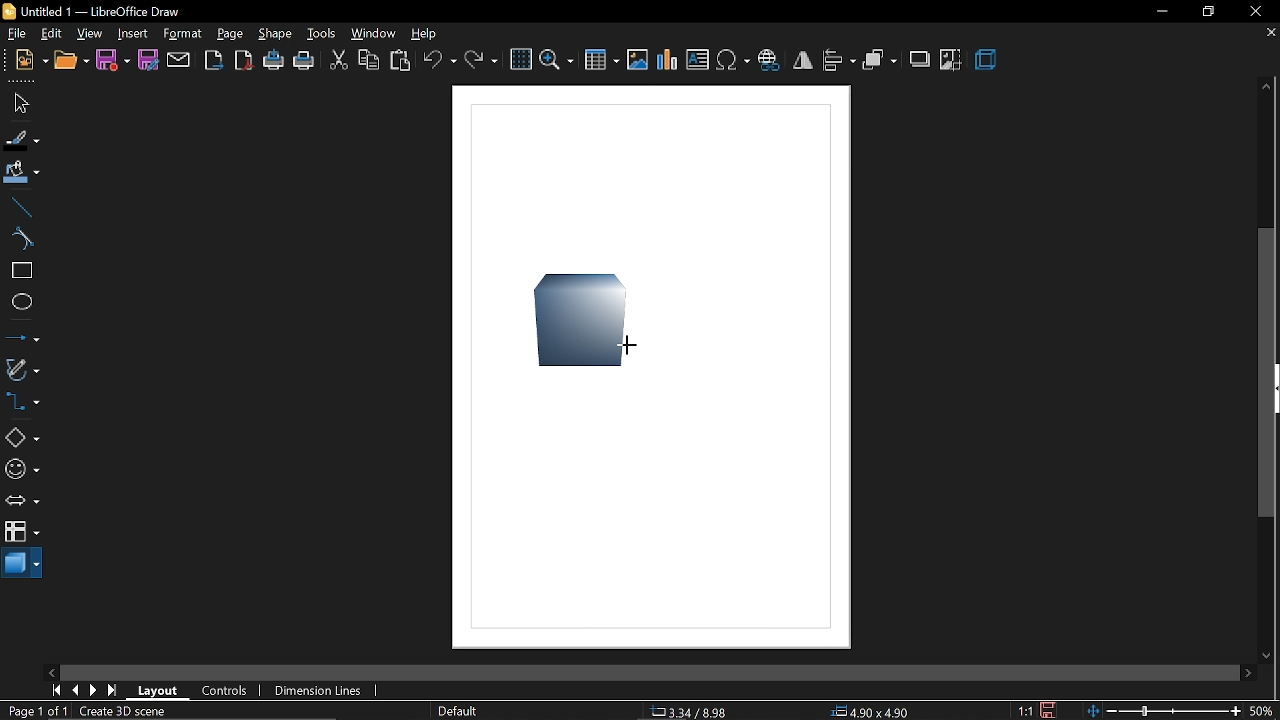 This screenshot has height=720, width=1280. Describe the element at coordinates (272, 62) in the screenshot. I see `print directly` at that location.